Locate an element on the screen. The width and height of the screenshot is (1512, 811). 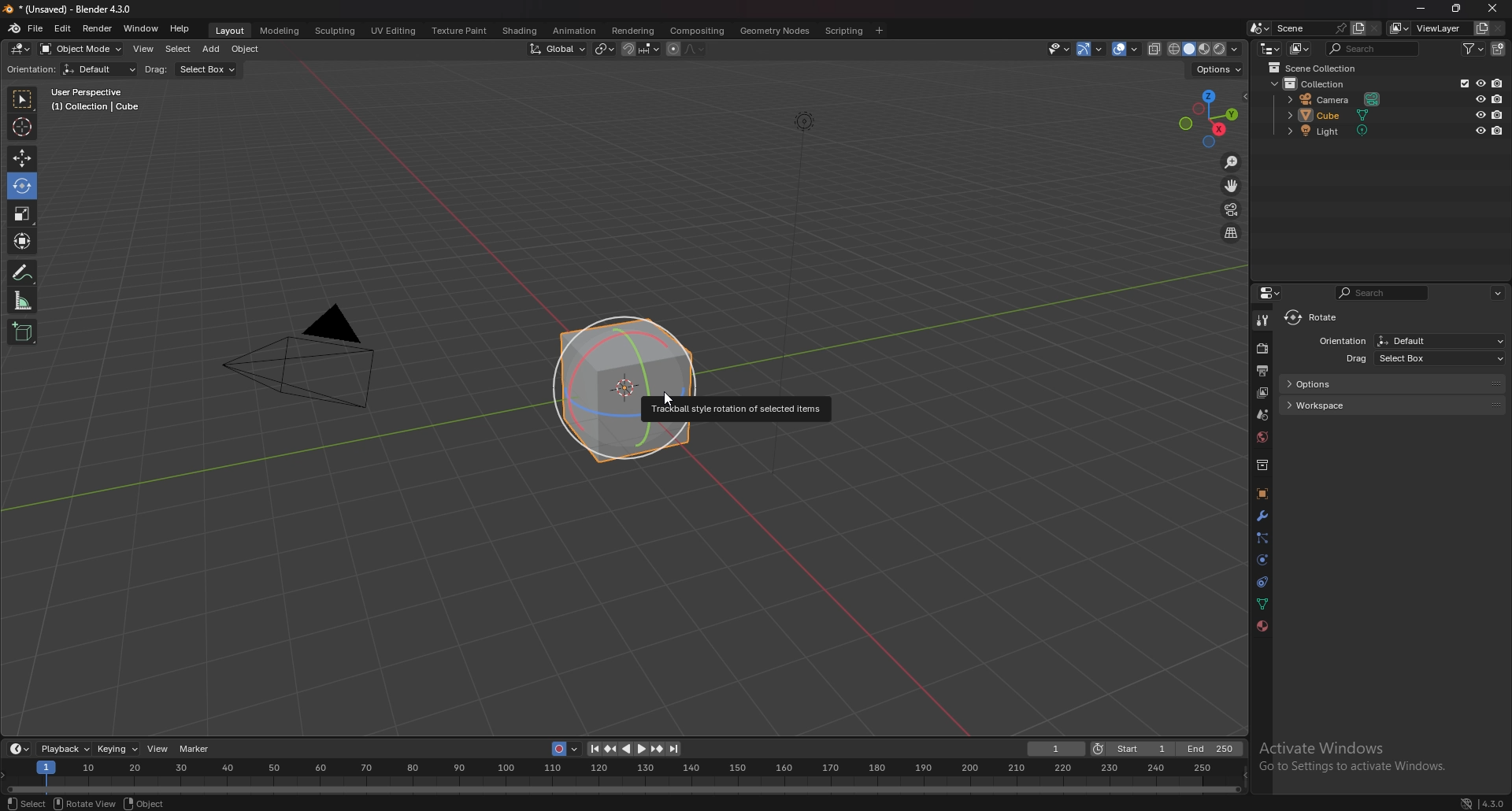
view layer is located at coordinates (1262, 393).